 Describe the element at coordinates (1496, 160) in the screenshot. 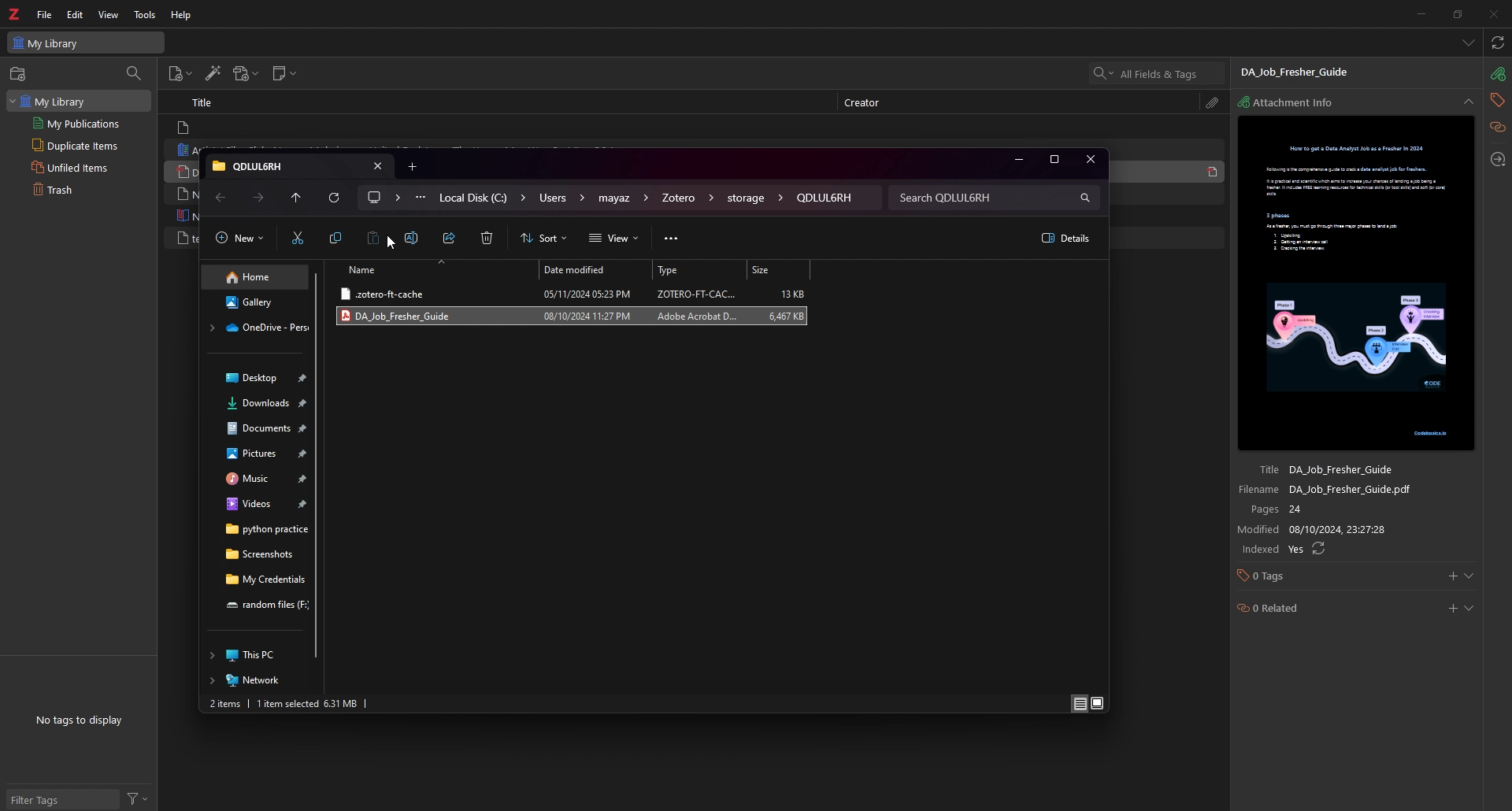

I see `locate` at that location.